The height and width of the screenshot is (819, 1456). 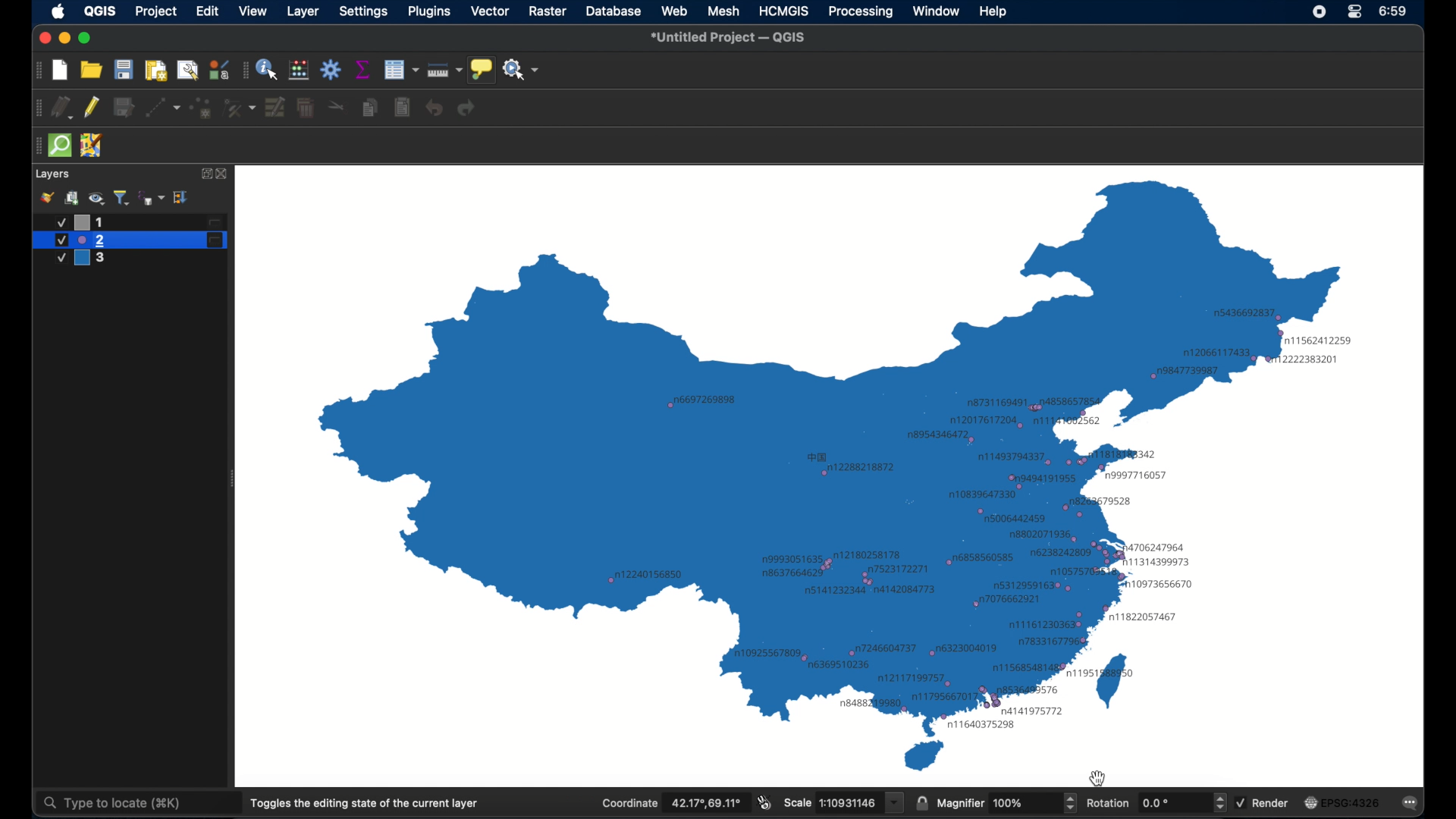 I want to click on control  center, so click(x=1317, y=13).